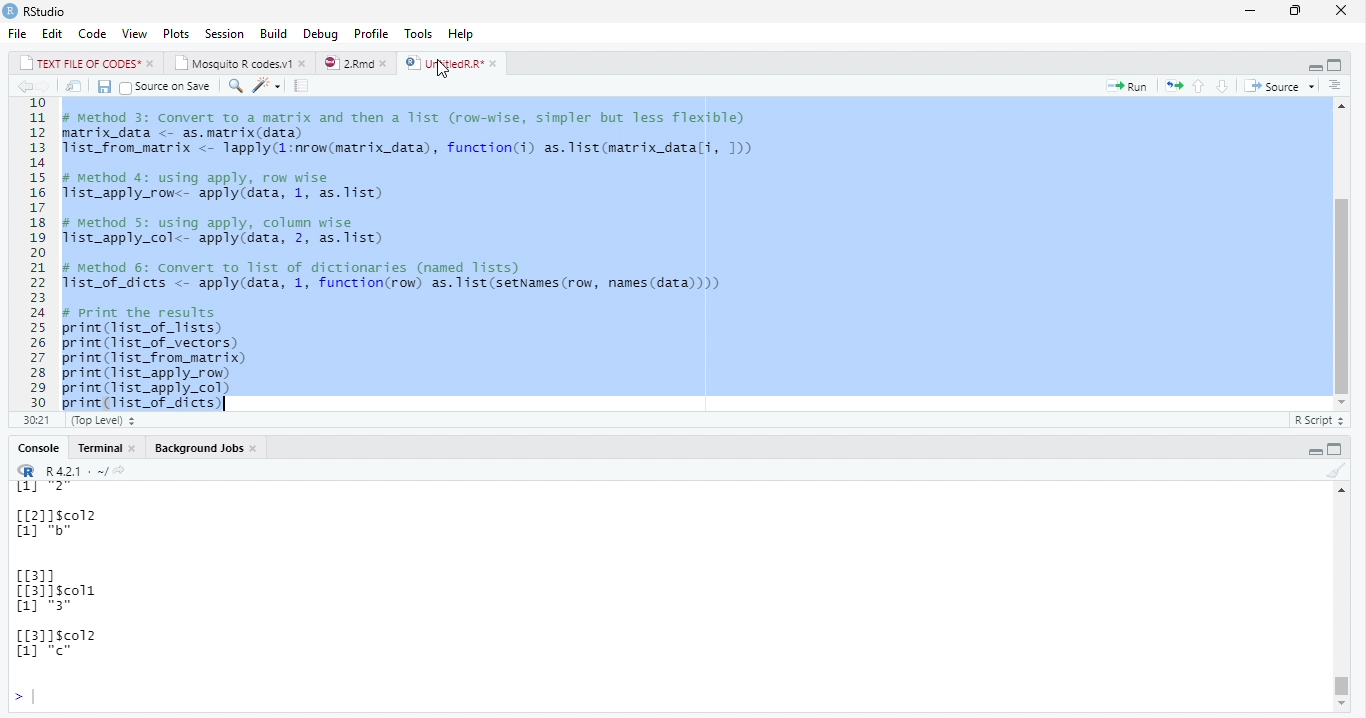 The height and width of the screenshot is (718, 1366). I want to click on Previous section, so click(1337, 87).